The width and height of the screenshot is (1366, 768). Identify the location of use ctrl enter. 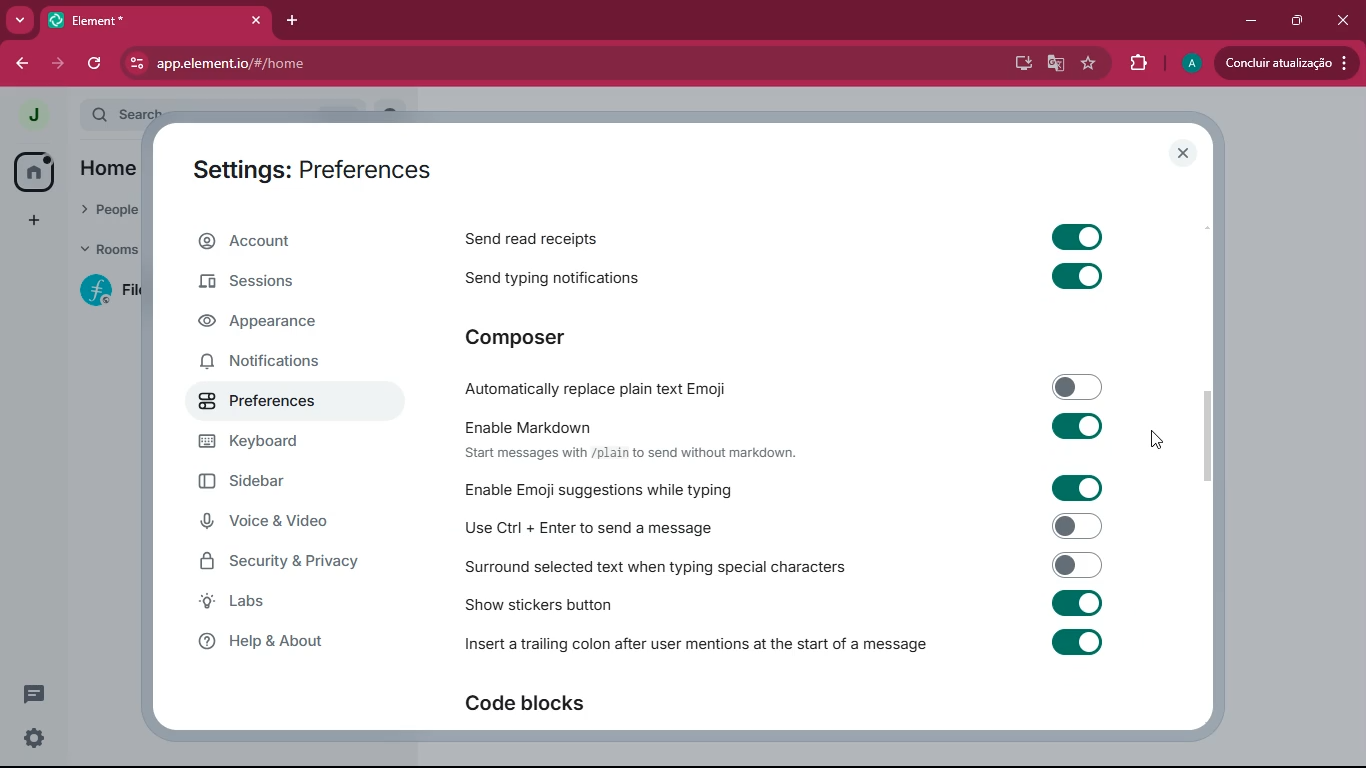
(600, 525).